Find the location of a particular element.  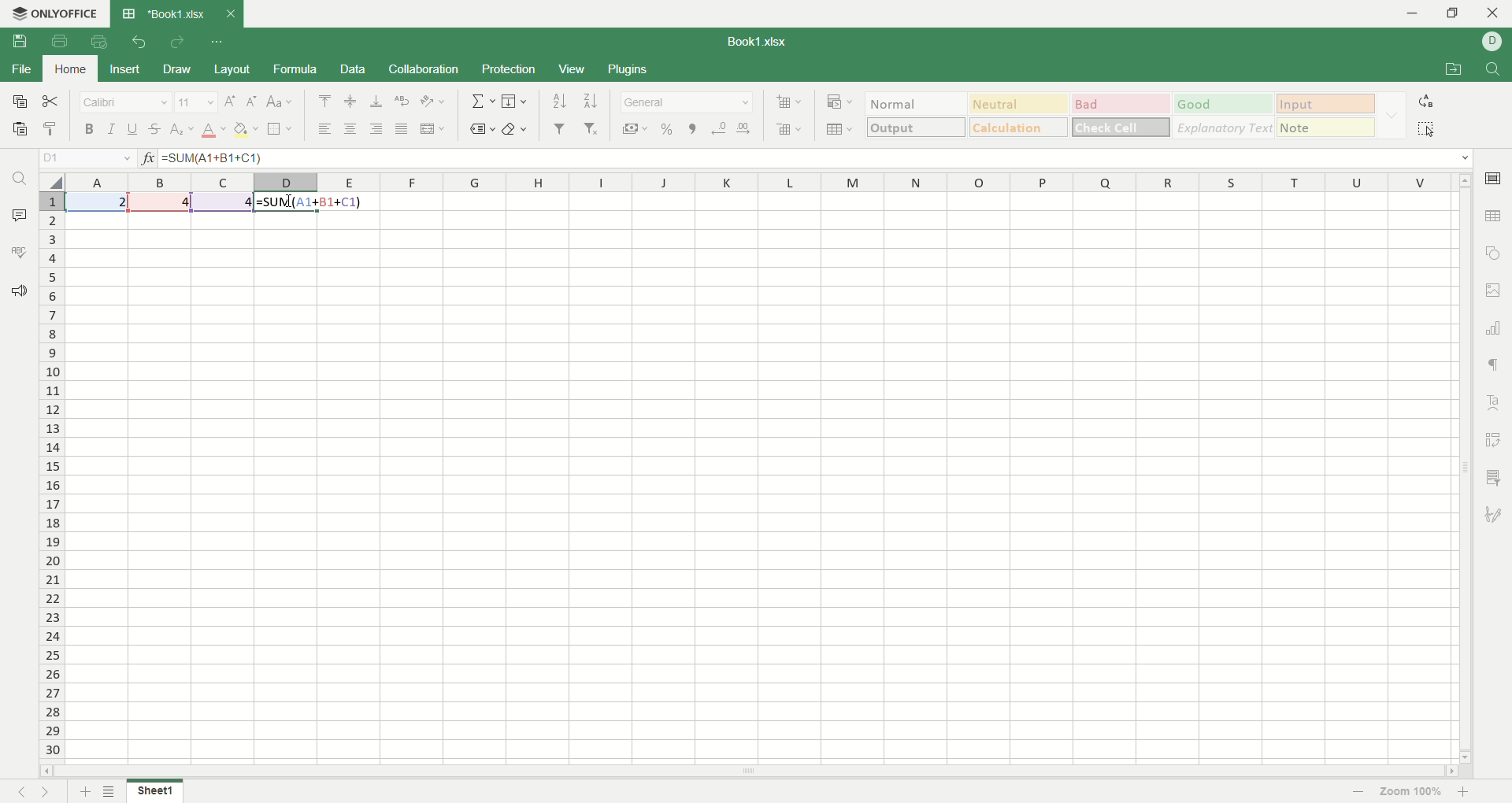

pivot settings is located at coordinates (1495, 438).